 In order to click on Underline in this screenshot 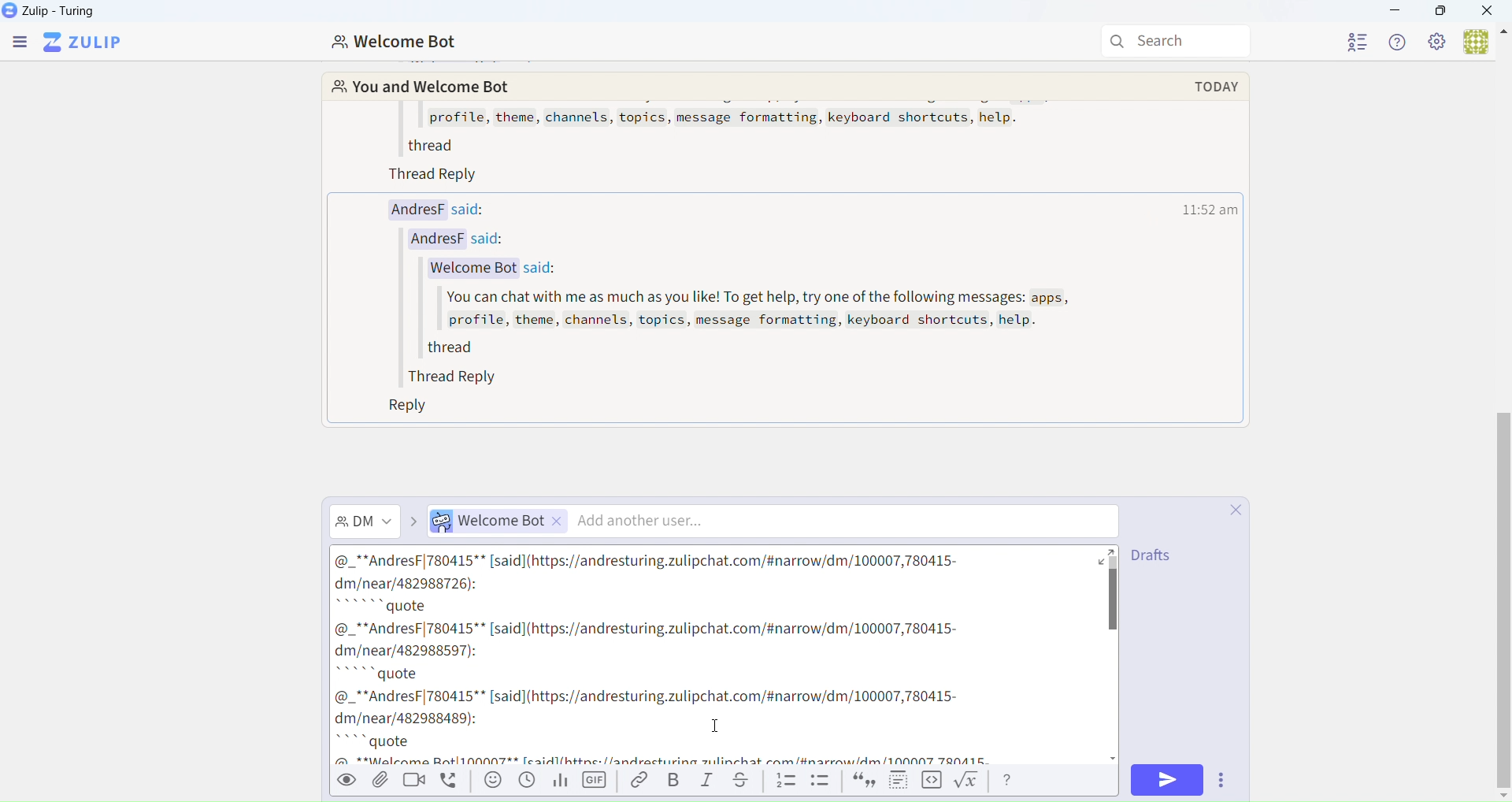, I will do `click(746, 781)`.